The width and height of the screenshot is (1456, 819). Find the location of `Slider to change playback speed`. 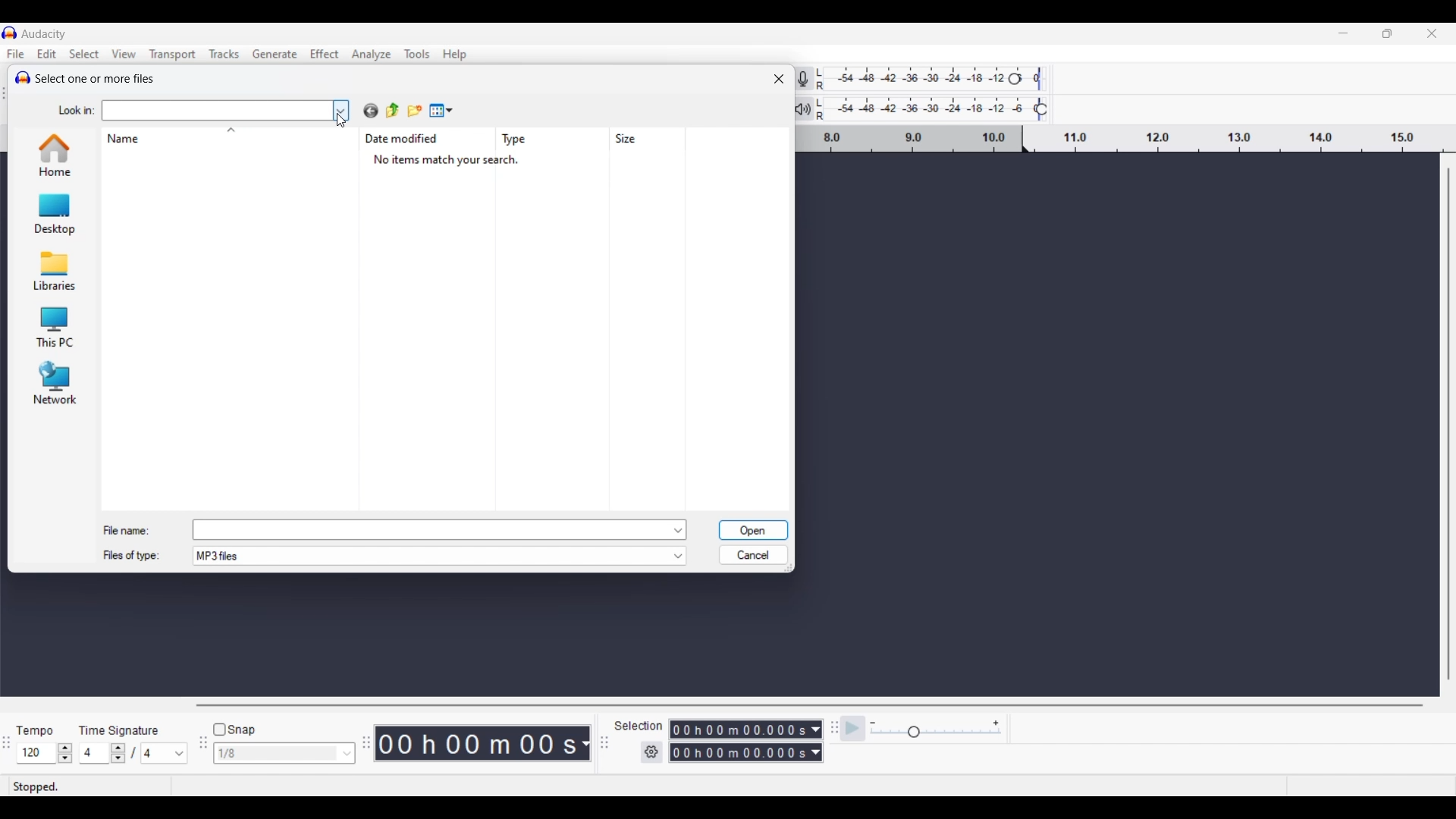

Slider to change playback speed is located at coordinates (934, 733).